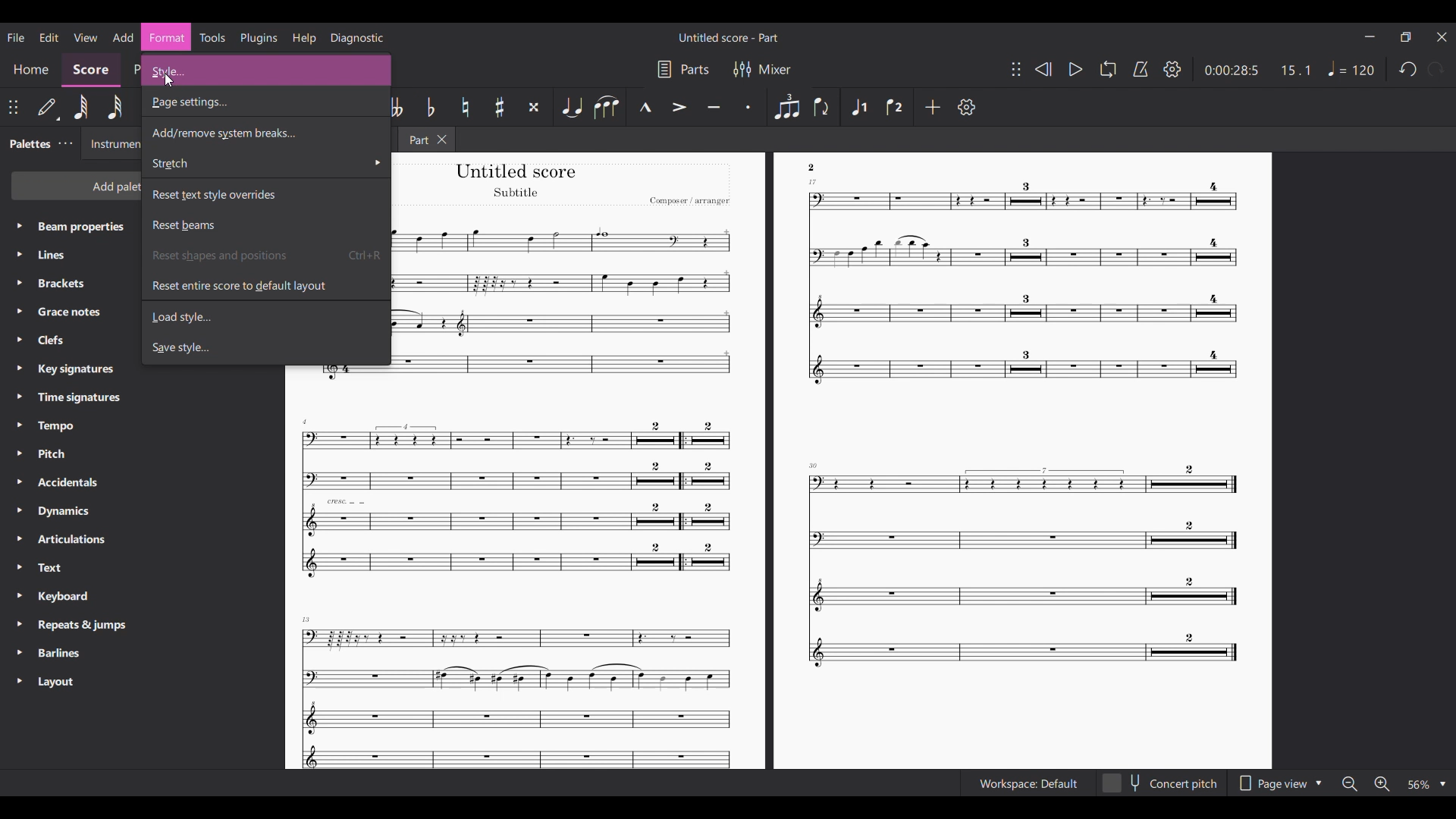 The height and width of the screenshot is (819, 1456). Describe the element at coordinates (71, 284) in the screenshot. I see `Brackets` at that location.